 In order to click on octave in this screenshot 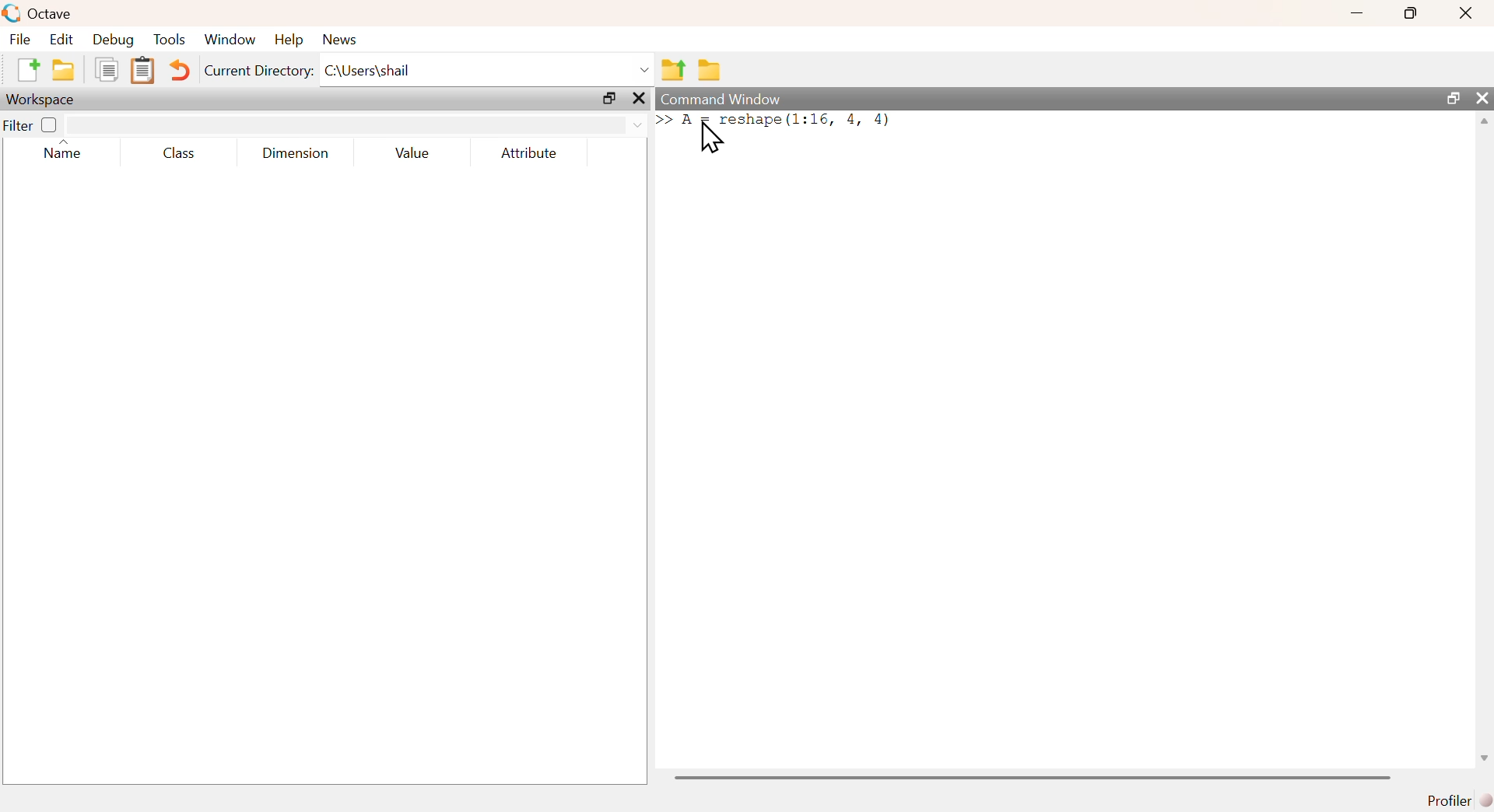, I will do `click(39, 12)`.